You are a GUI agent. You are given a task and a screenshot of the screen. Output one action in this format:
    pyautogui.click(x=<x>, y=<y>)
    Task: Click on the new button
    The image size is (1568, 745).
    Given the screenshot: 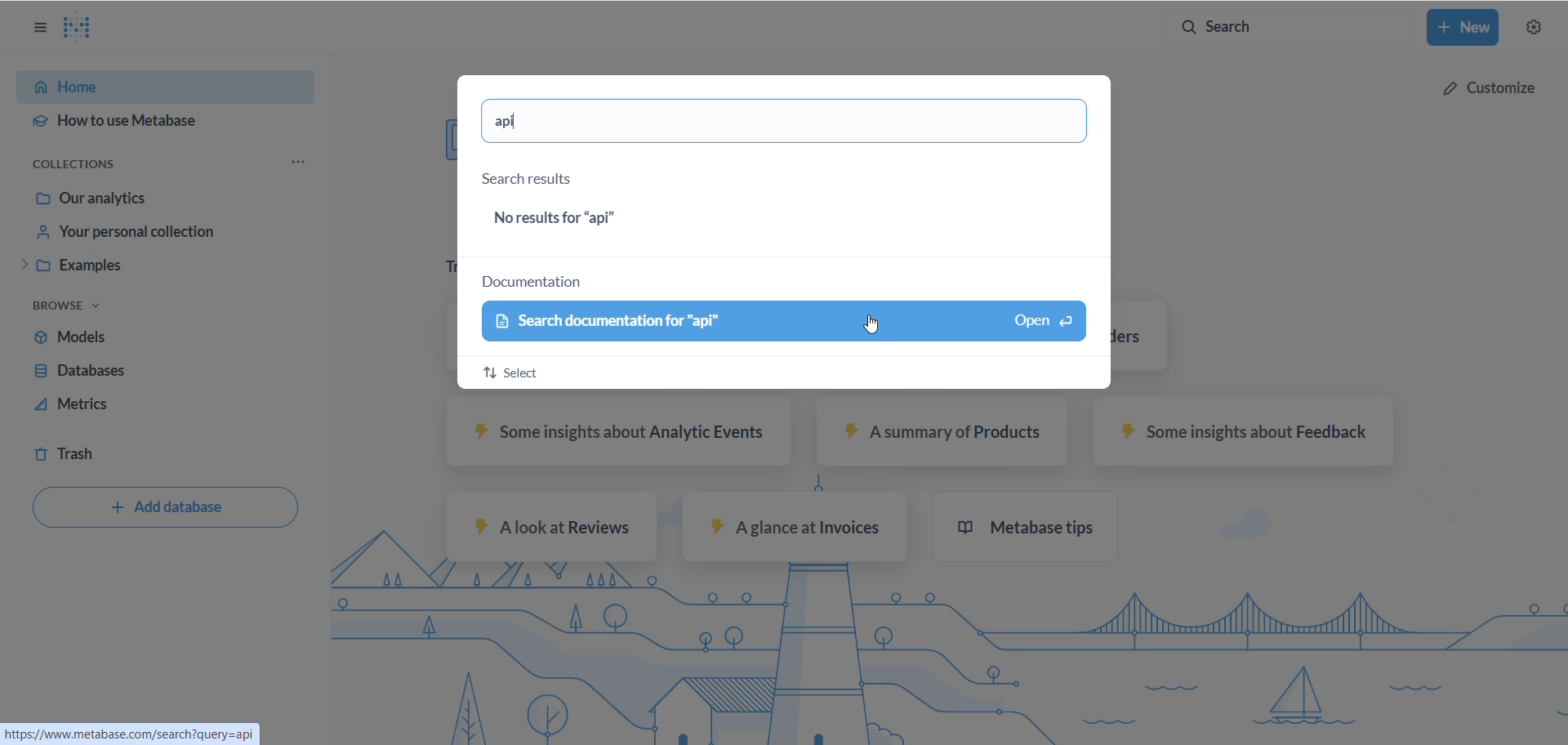 What is the action you would take?
    pyautogui.click(x=1466, y=29)
    